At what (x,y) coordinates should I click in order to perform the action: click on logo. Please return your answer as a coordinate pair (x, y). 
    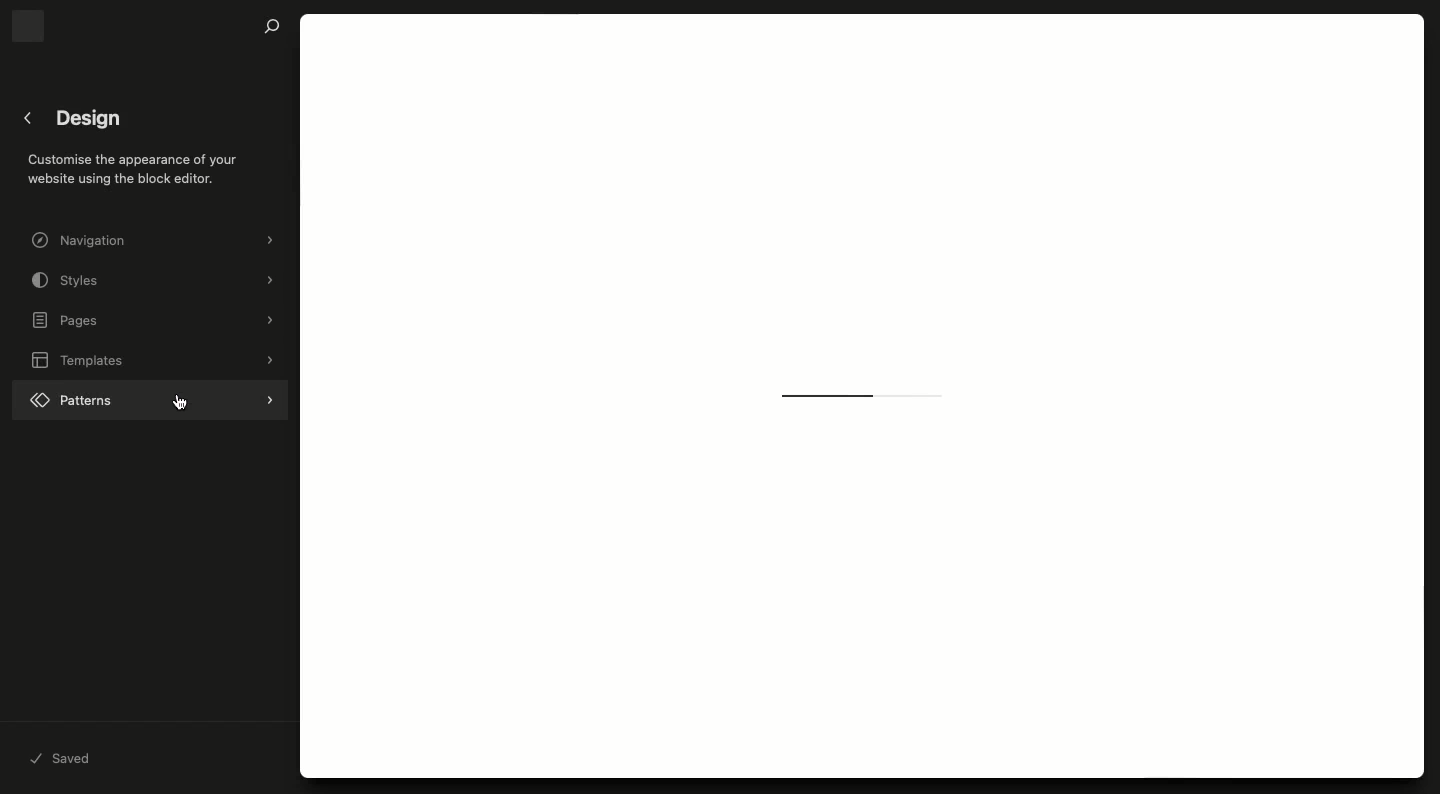
    Looking at the image, I should click on (27, 26).